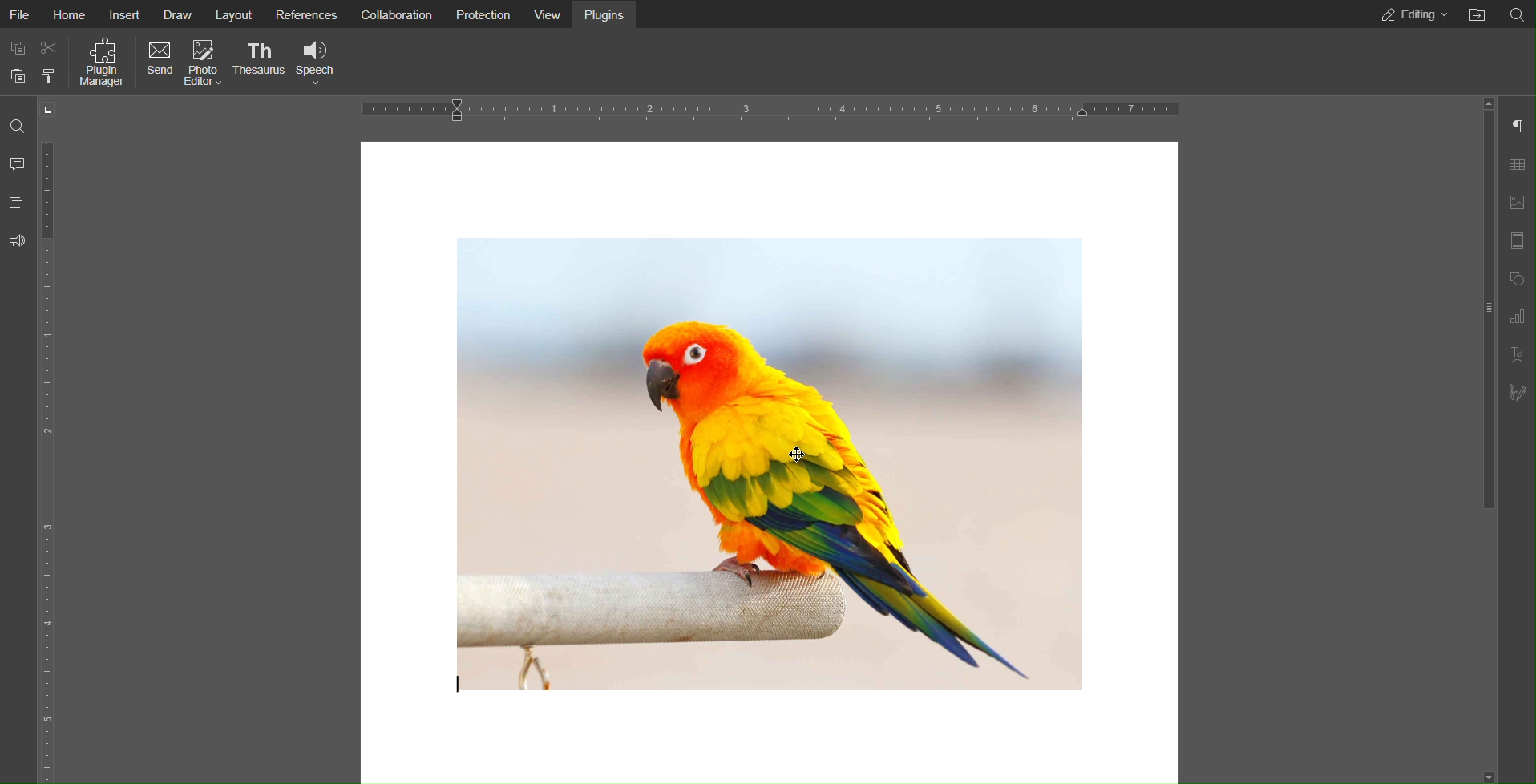 The height and width of the screenshot is (784, 1536). What do you see at coordinates (480, 14) in the screenshot?
I see `Protection` at bounding box center [480, 14].